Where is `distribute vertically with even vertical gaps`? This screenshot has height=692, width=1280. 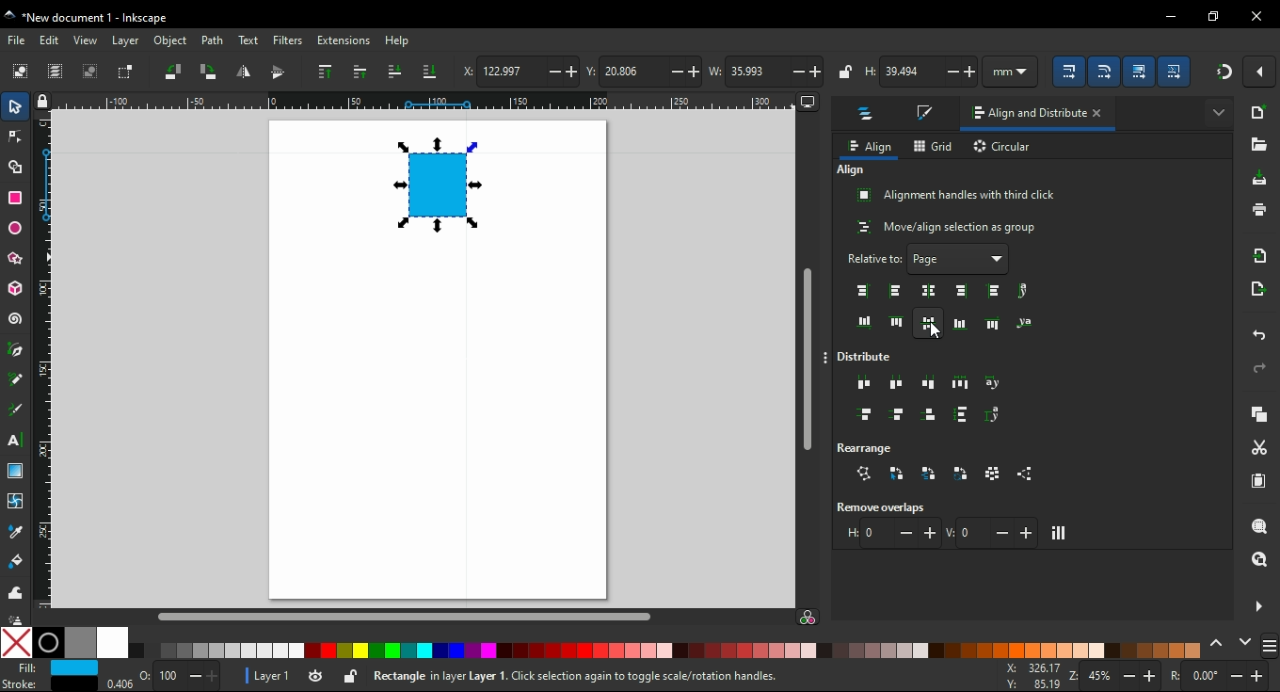 distribute vertically with even vertical gaps is located at coordinates (962, 417).